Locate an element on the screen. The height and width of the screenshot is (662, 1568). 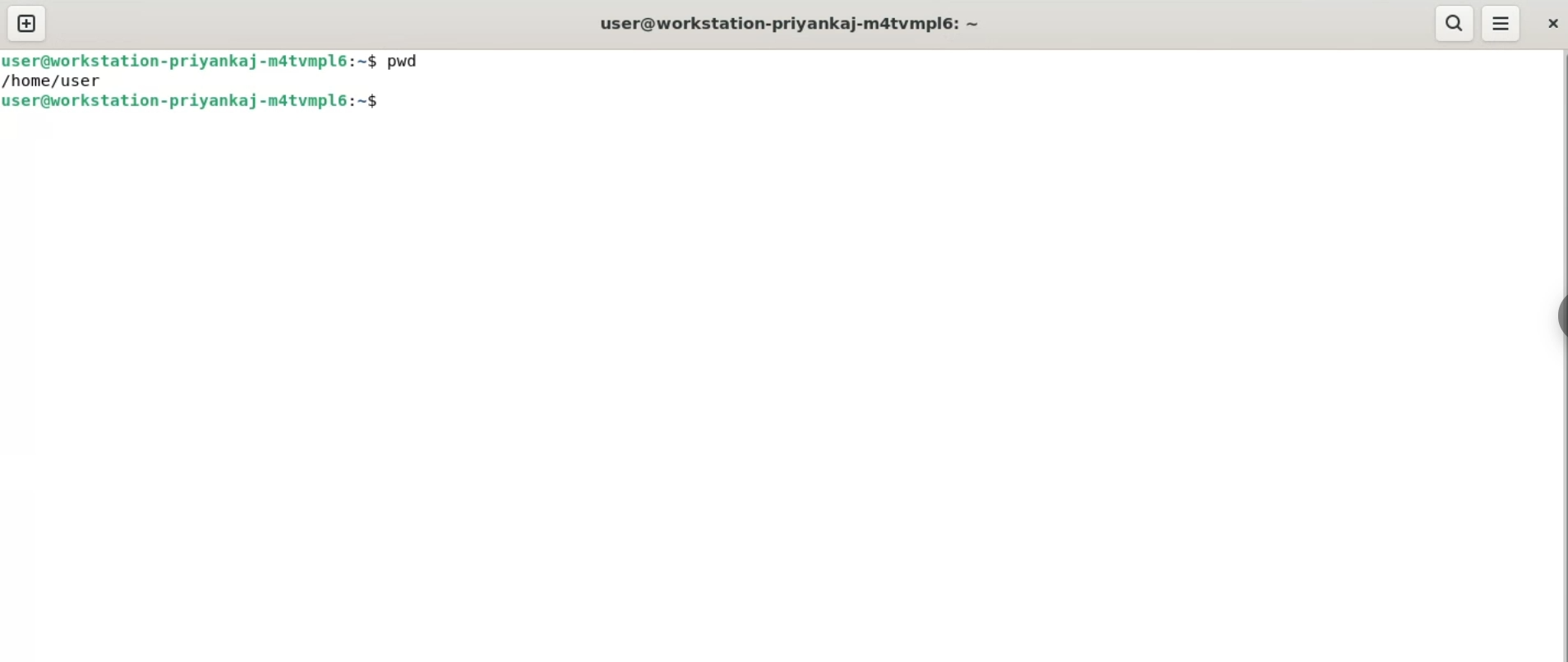
user@workstation-priyankaj-m4tvmpl6: ~ is located at coordinates (797, 22).